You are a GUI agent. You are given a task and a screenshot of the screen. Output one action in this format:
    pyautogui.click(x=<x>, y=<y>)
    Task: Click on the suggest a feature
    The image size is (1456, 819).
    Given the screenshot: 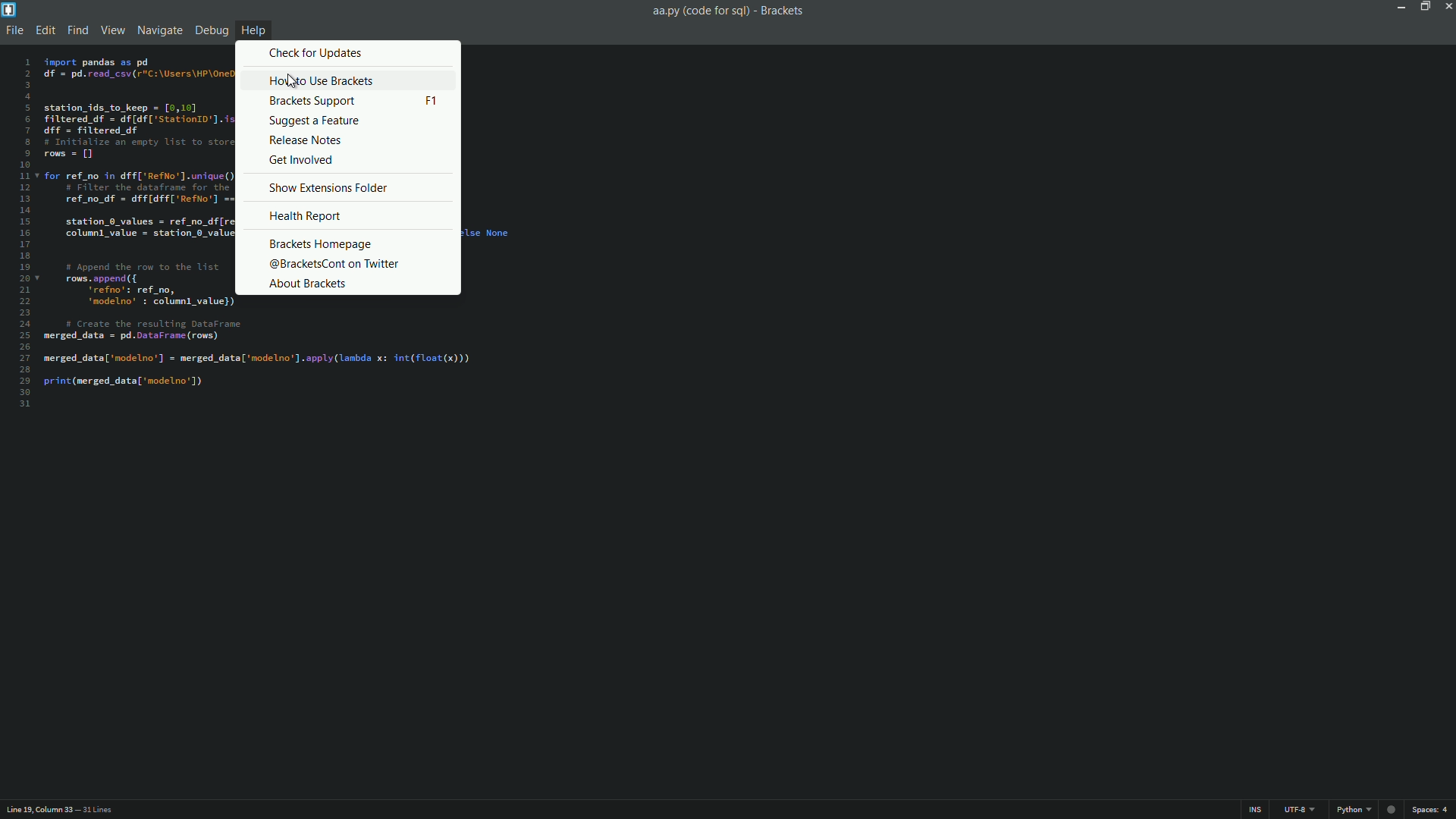 What is the action you would take?
    pyautogui.click(x=315, y=121)
    